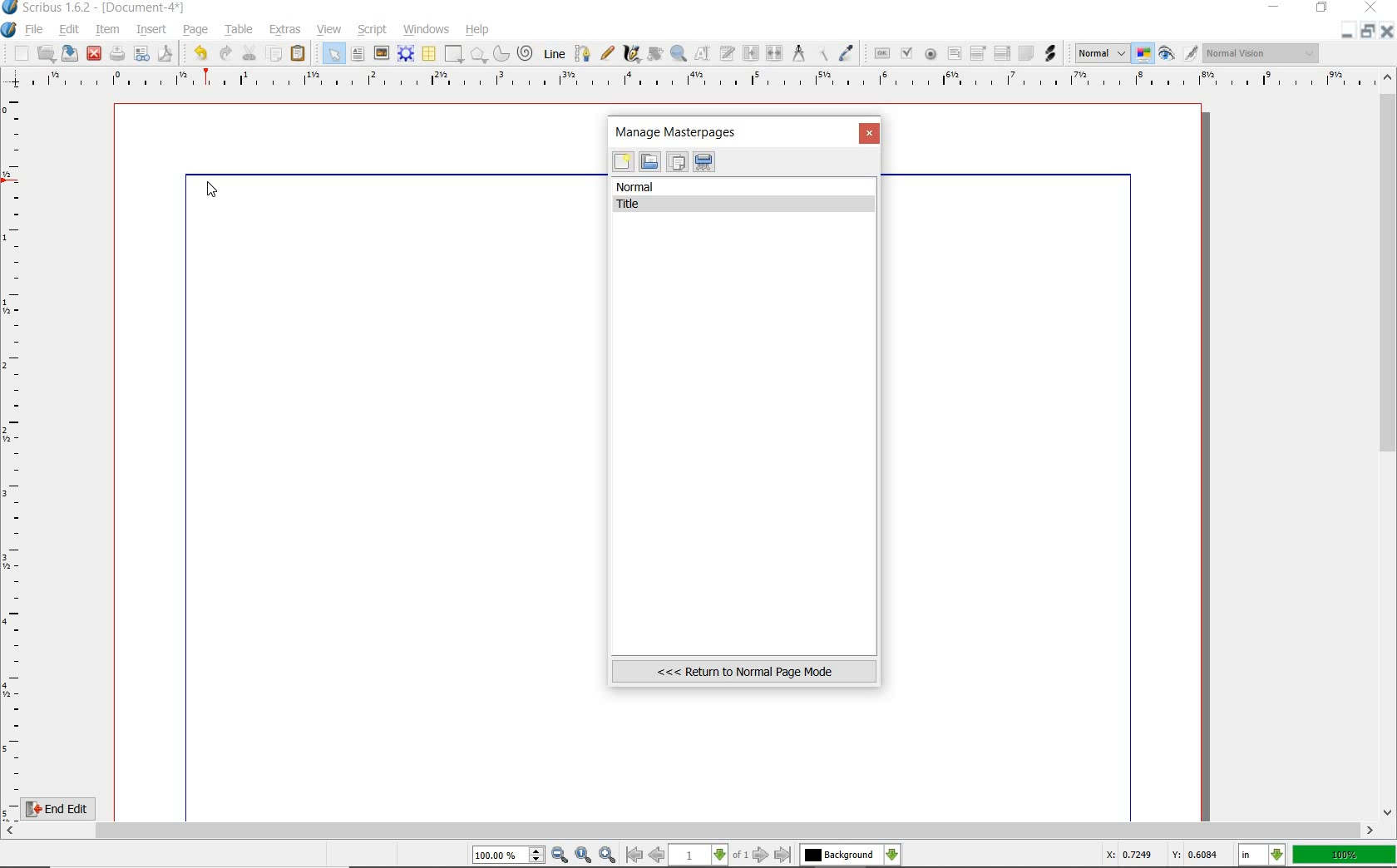 This screenshot has height=868, width=1397. What do you see at coordinates (1262, 55) in the screenshot?
I see `Normal Vision` at bounding box center [1262, 55].